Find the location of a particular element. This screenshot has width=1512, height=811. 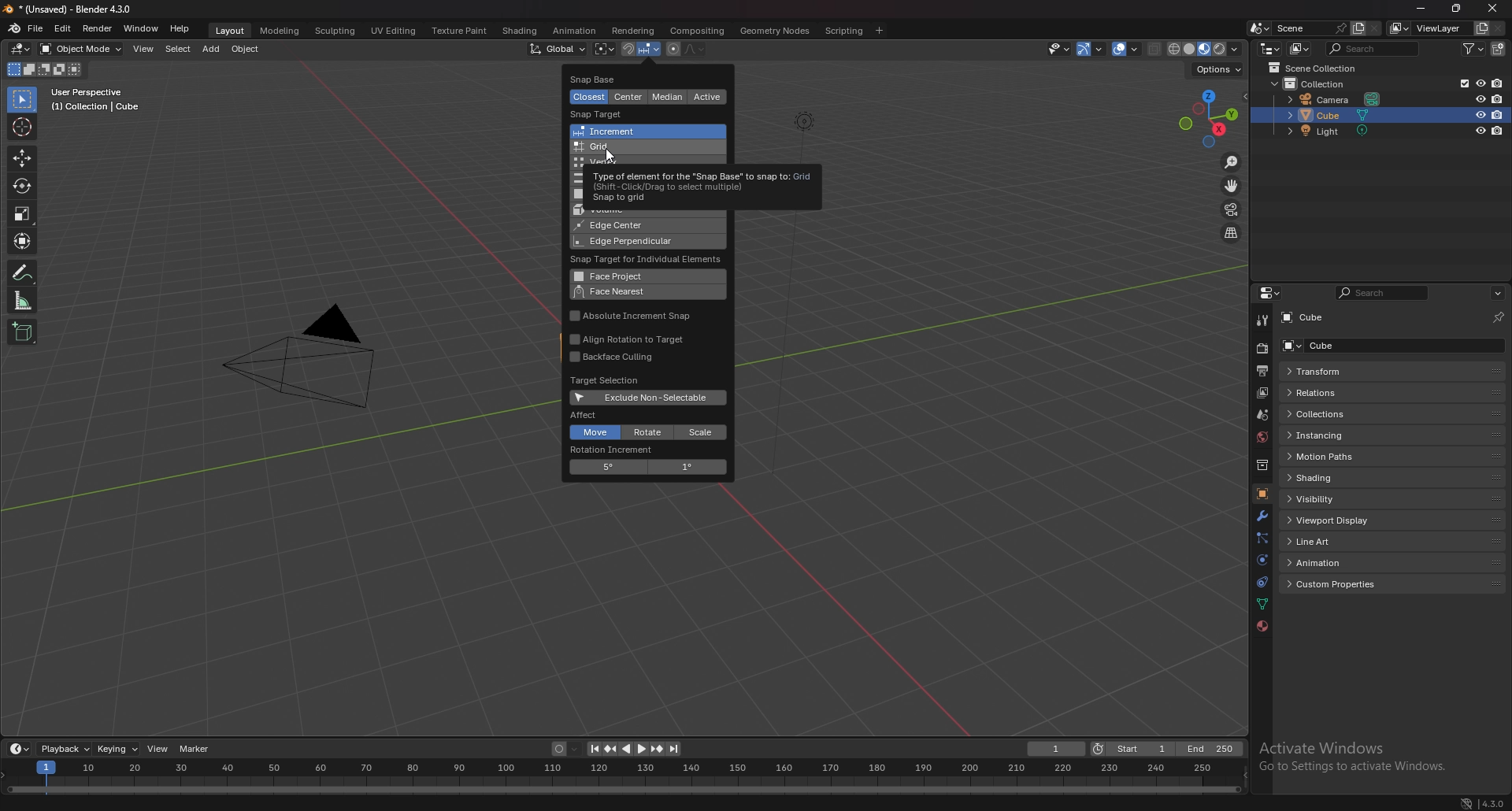

volume is located at coordinates (621, 212).